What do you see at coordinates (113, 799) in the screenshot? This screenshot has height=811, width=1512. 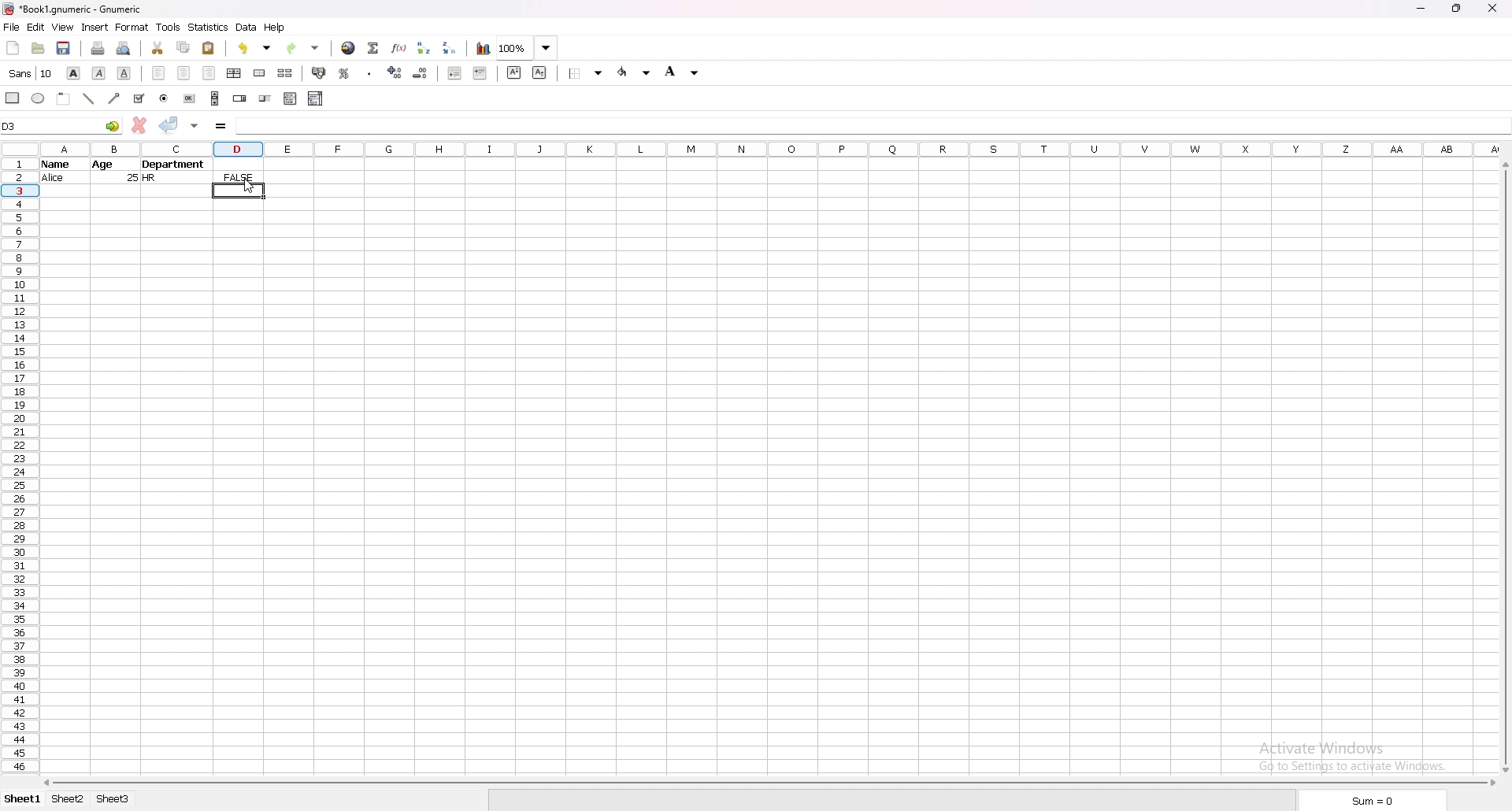 I see `sheet 3` at bounding box center [113, 799].